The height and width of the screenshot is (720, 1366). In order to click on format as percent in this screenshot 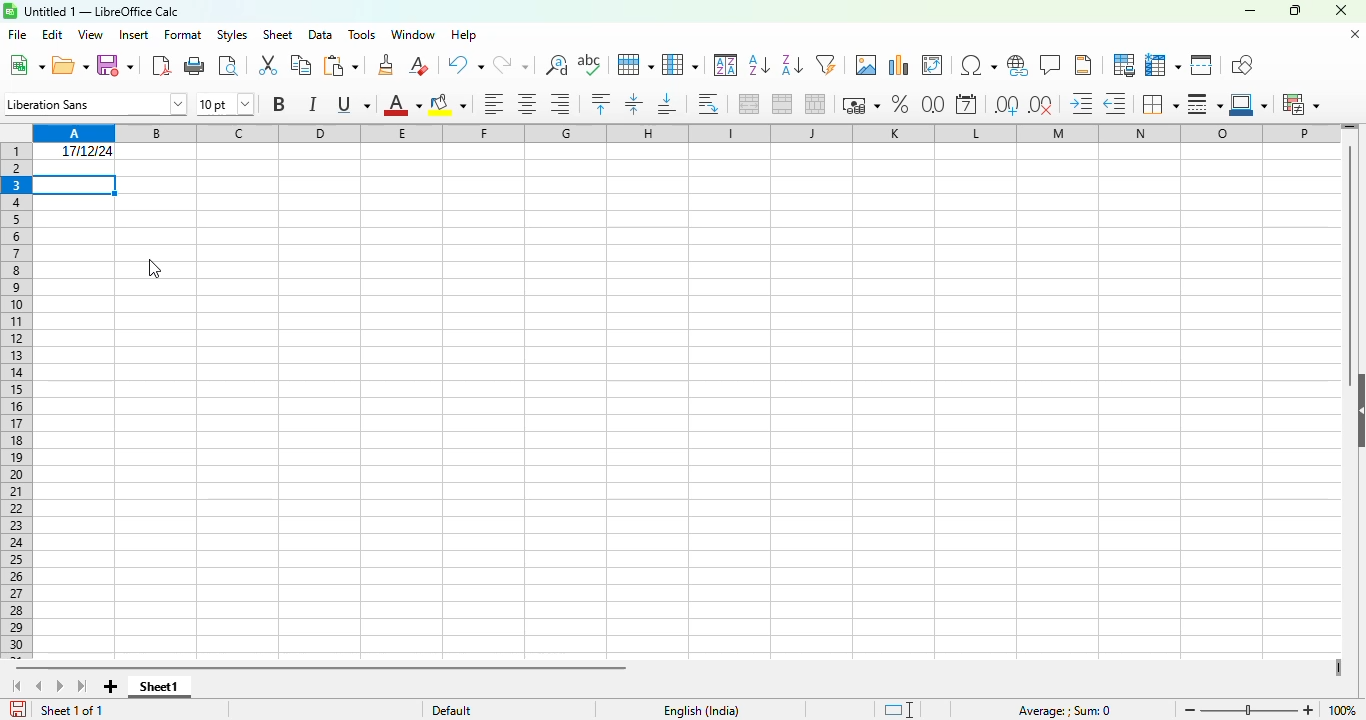, I will do `click(900, 104)`.